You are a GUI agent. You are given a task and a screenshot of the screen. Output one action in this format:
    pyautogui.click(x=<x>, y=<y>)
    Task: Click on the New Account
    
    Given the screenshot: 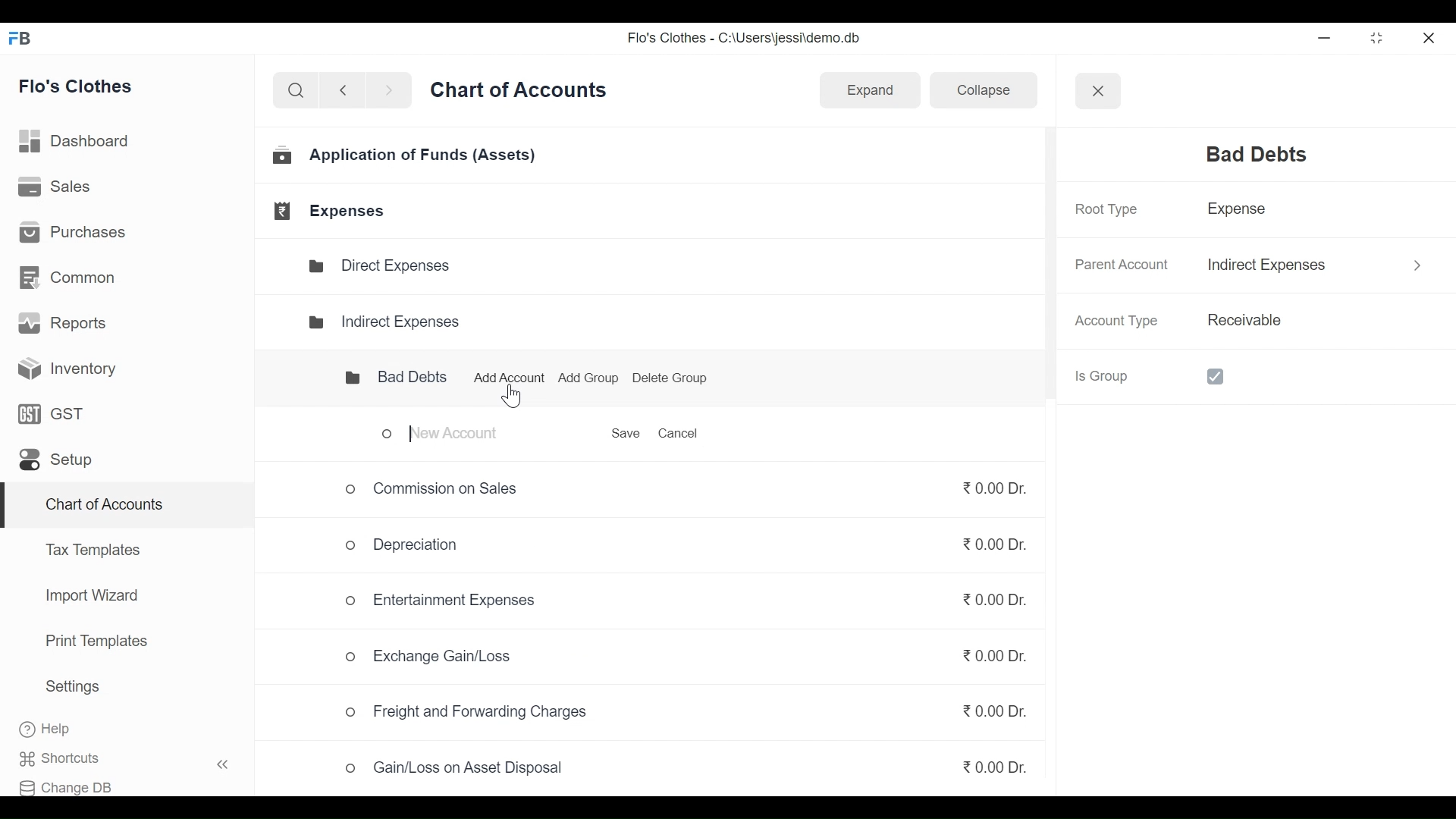 What is the action you would take?
    pyautogui.click(x=445, y=436)
    